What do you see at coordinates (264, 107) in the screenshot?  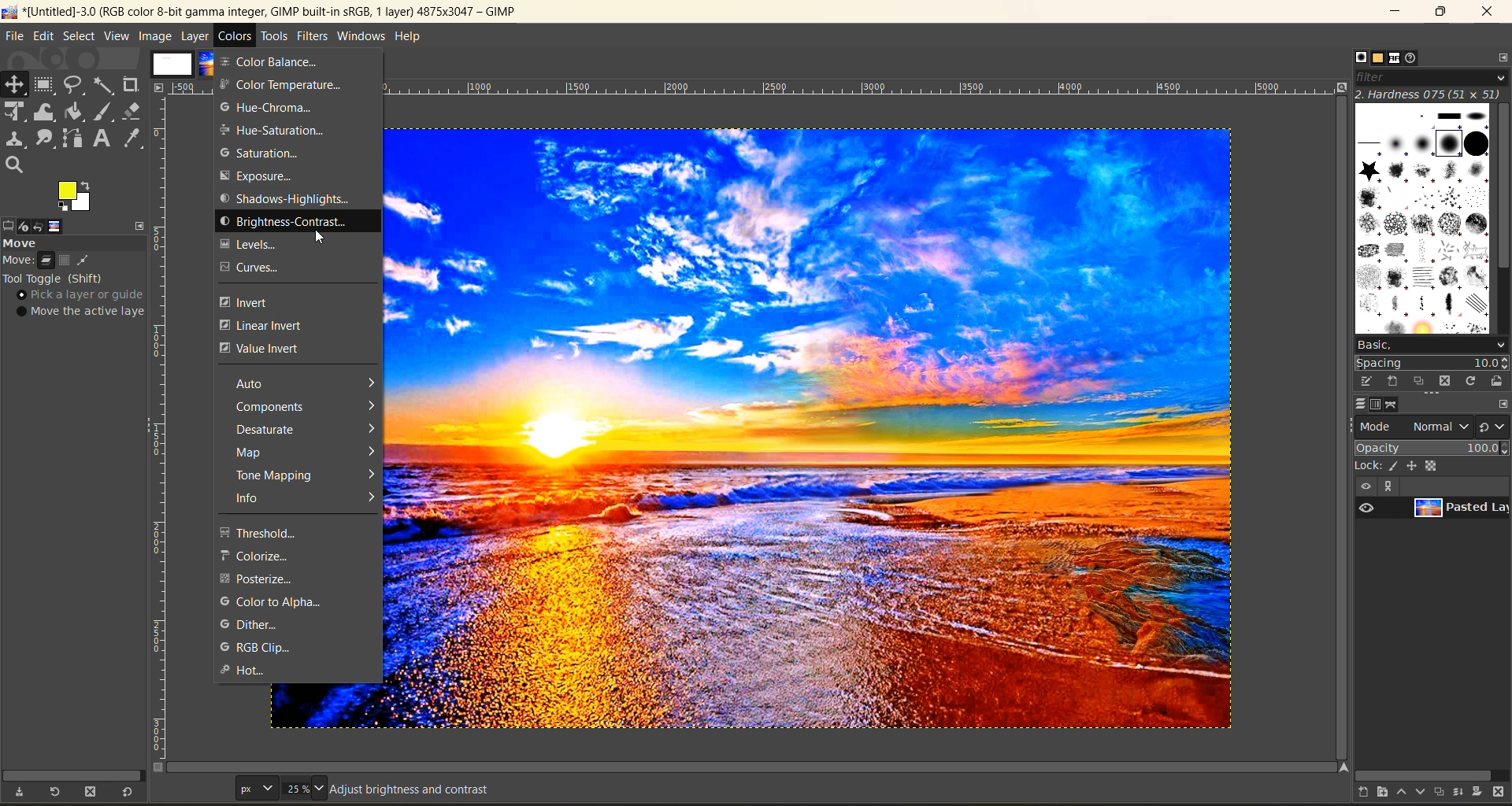 I see `hue chroma` at bounding box center [264, 107].